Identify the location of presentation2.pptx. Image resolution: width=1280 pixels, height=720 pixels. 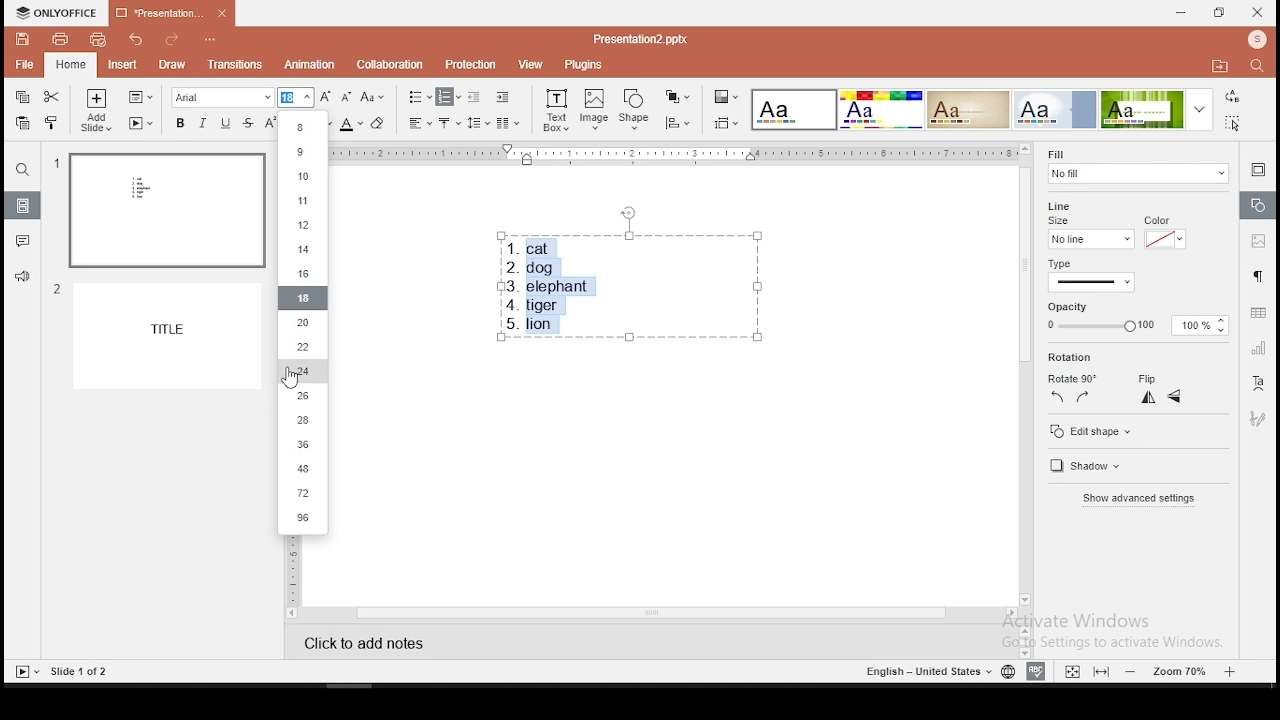
(641, 38).